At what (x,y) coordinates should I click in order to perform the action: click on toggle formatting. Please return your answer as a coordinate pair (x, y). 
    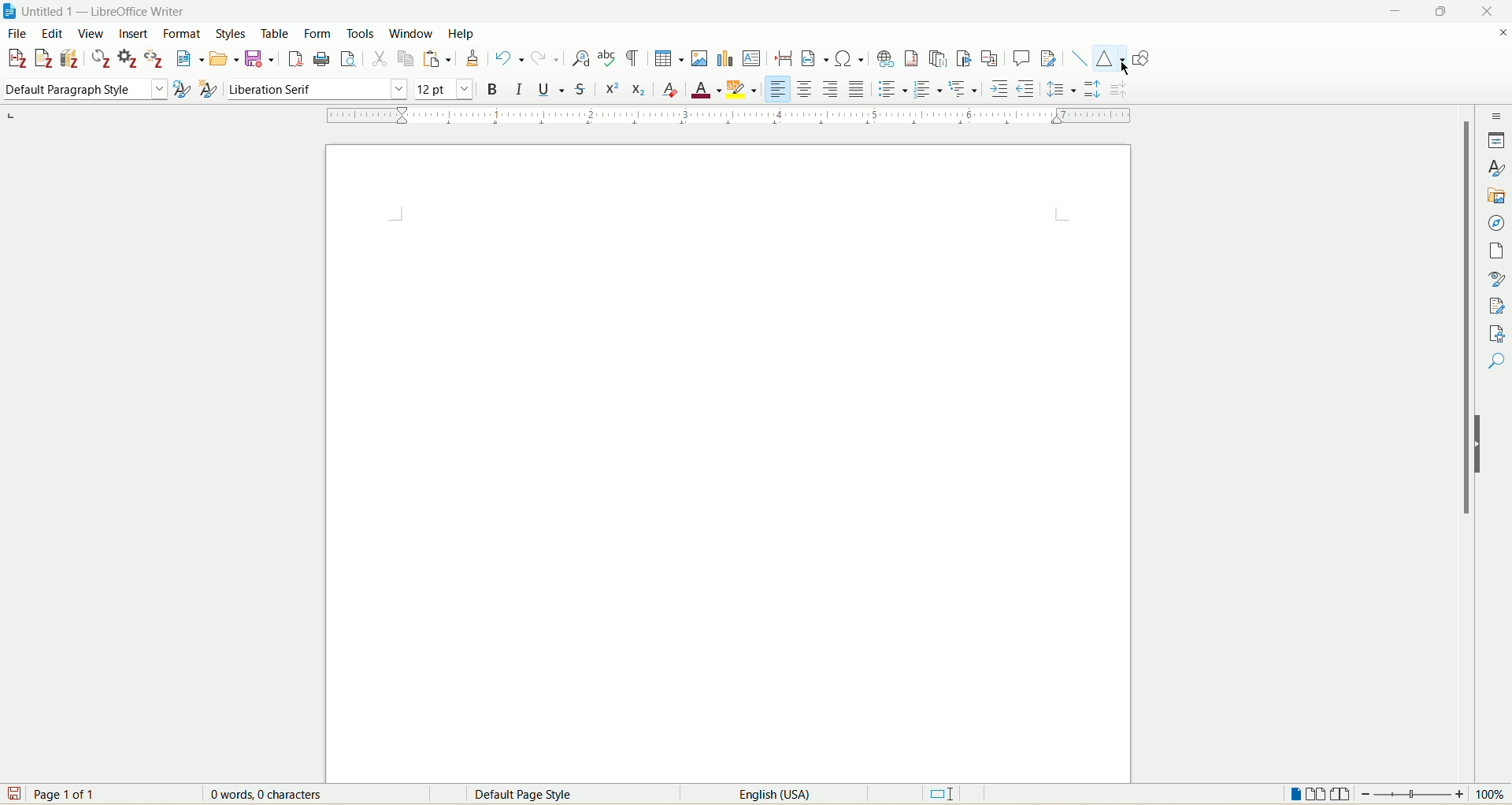
    Looking at the image, I should click on (632, 59).